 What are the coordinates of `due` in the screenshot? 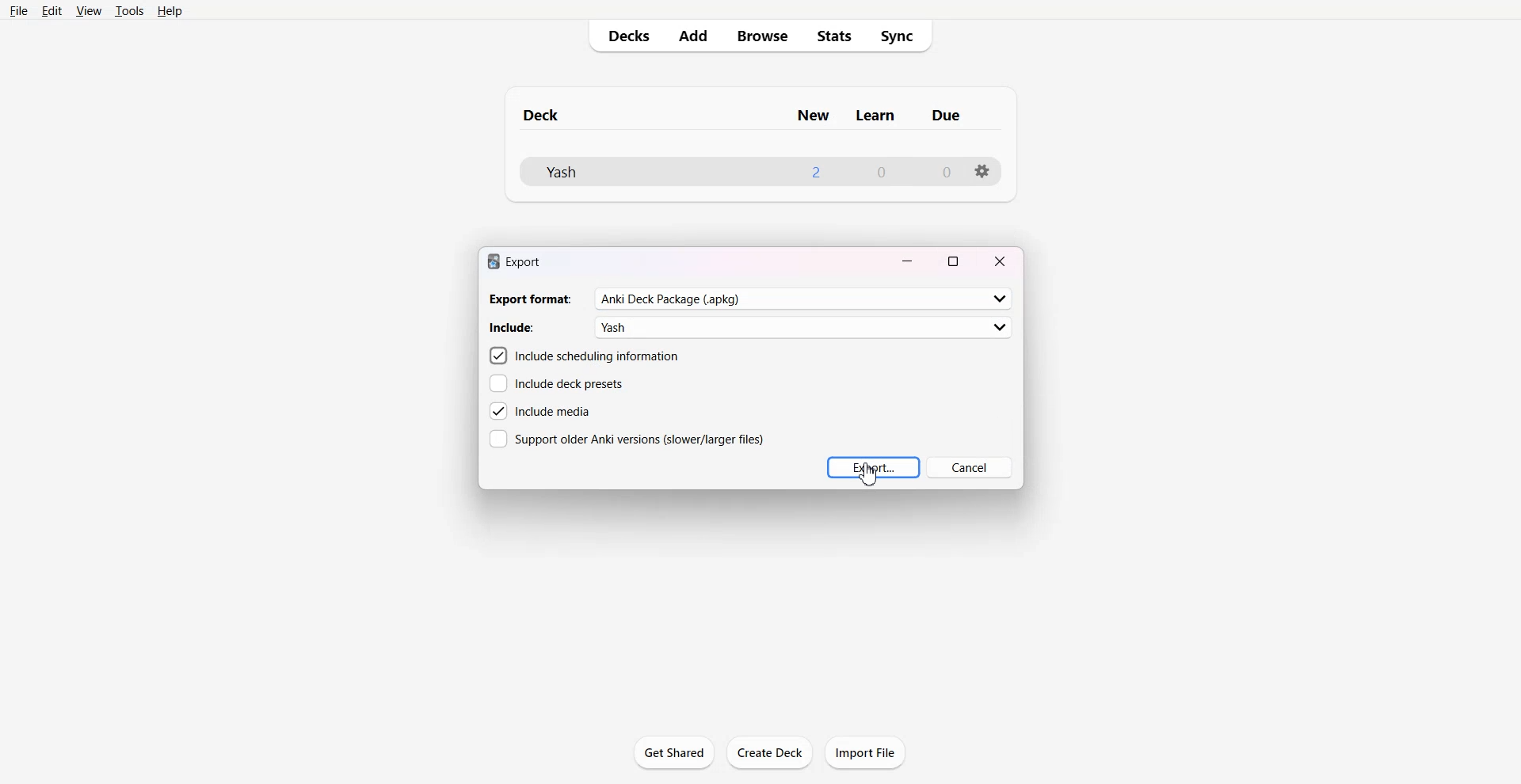 It's located at (947, 116).